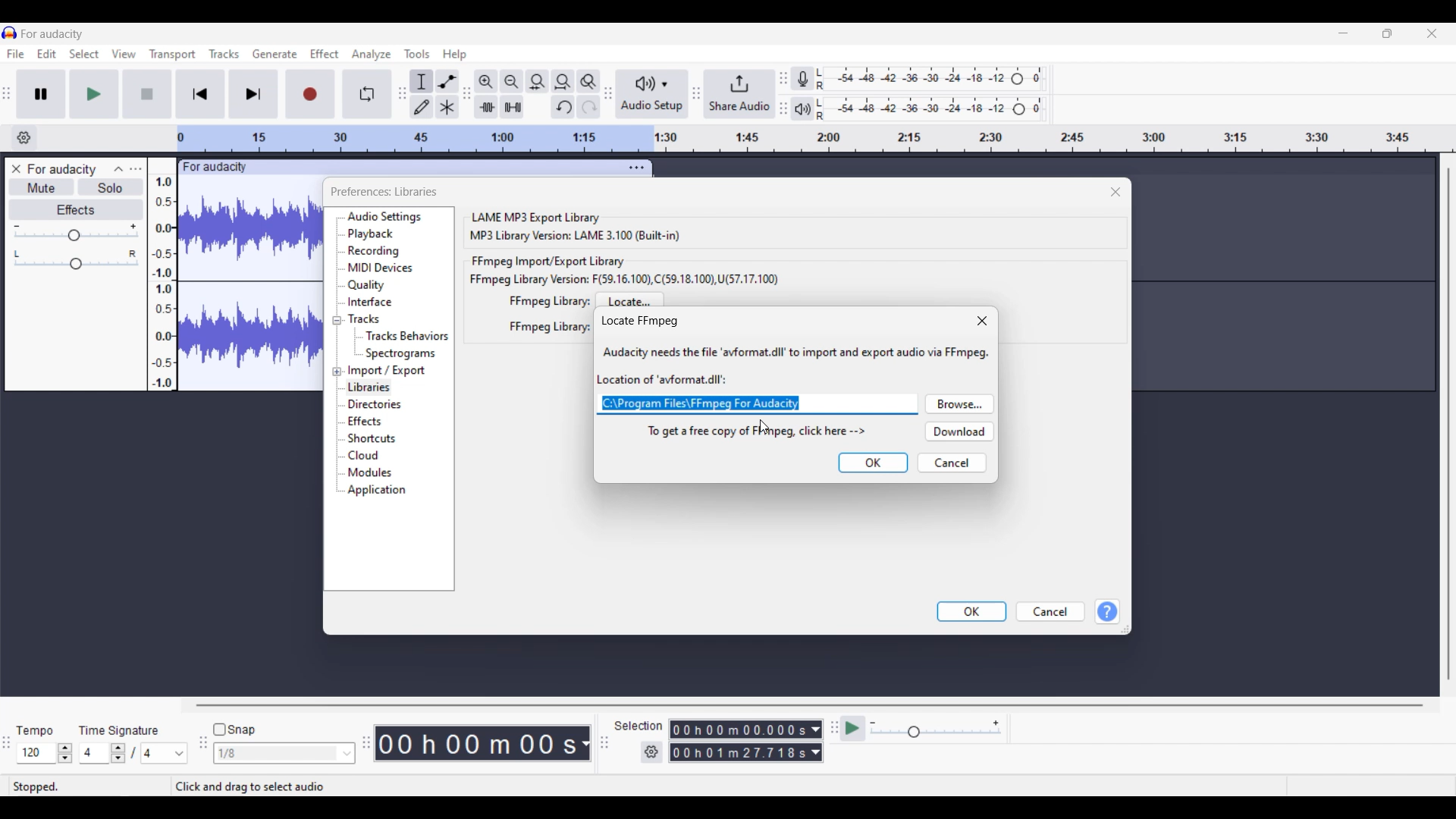 This screenshot has height=819, width=1456. What do you see at coordinates (375, 252) in the screenshot?
I see `Recording` at bounding box center [375, 252].